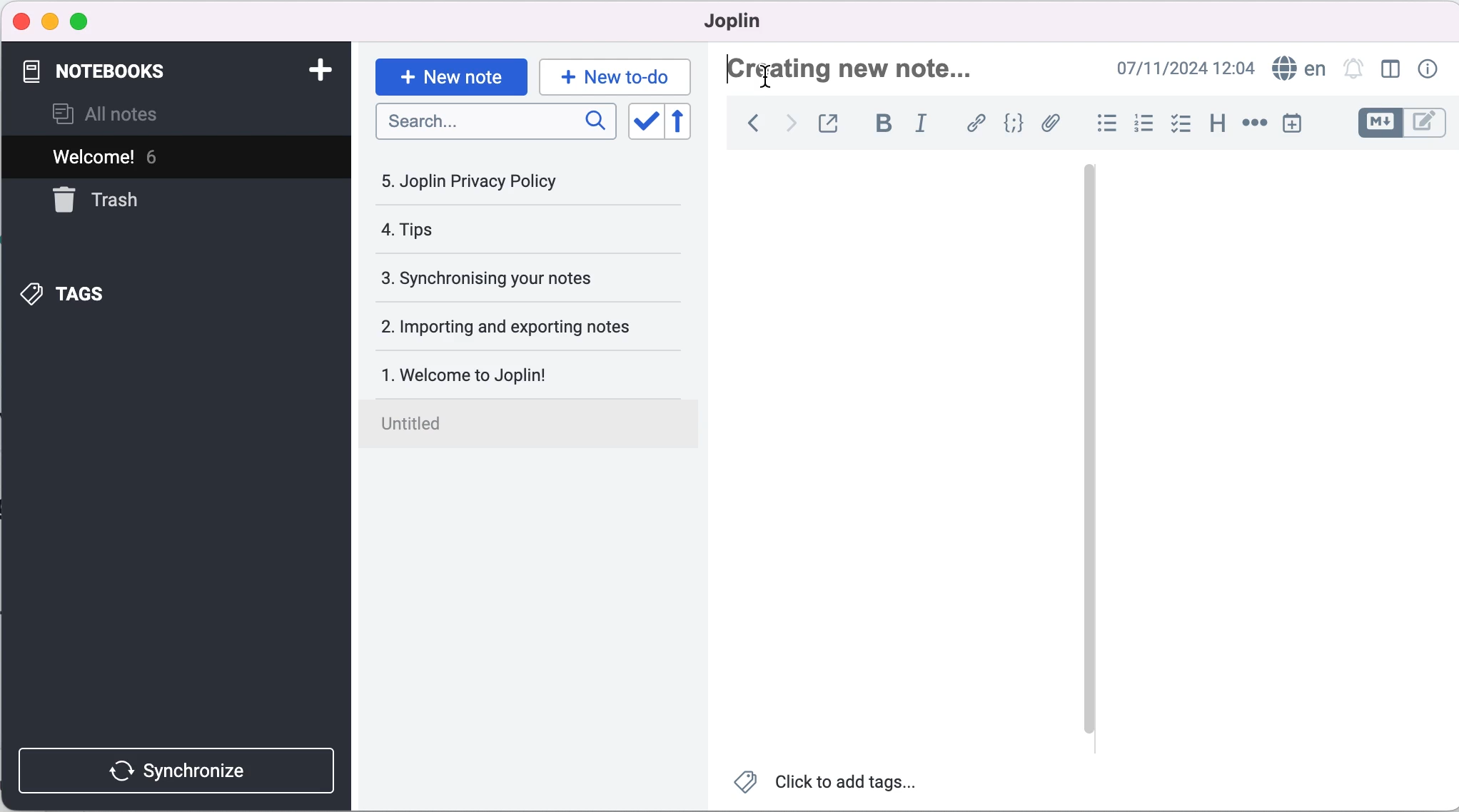 The image size is (1459, 812). What do you see at coordinates (158, 158) in the screenshot?
I see `welcome! 6` at bounding box center [158, 158].